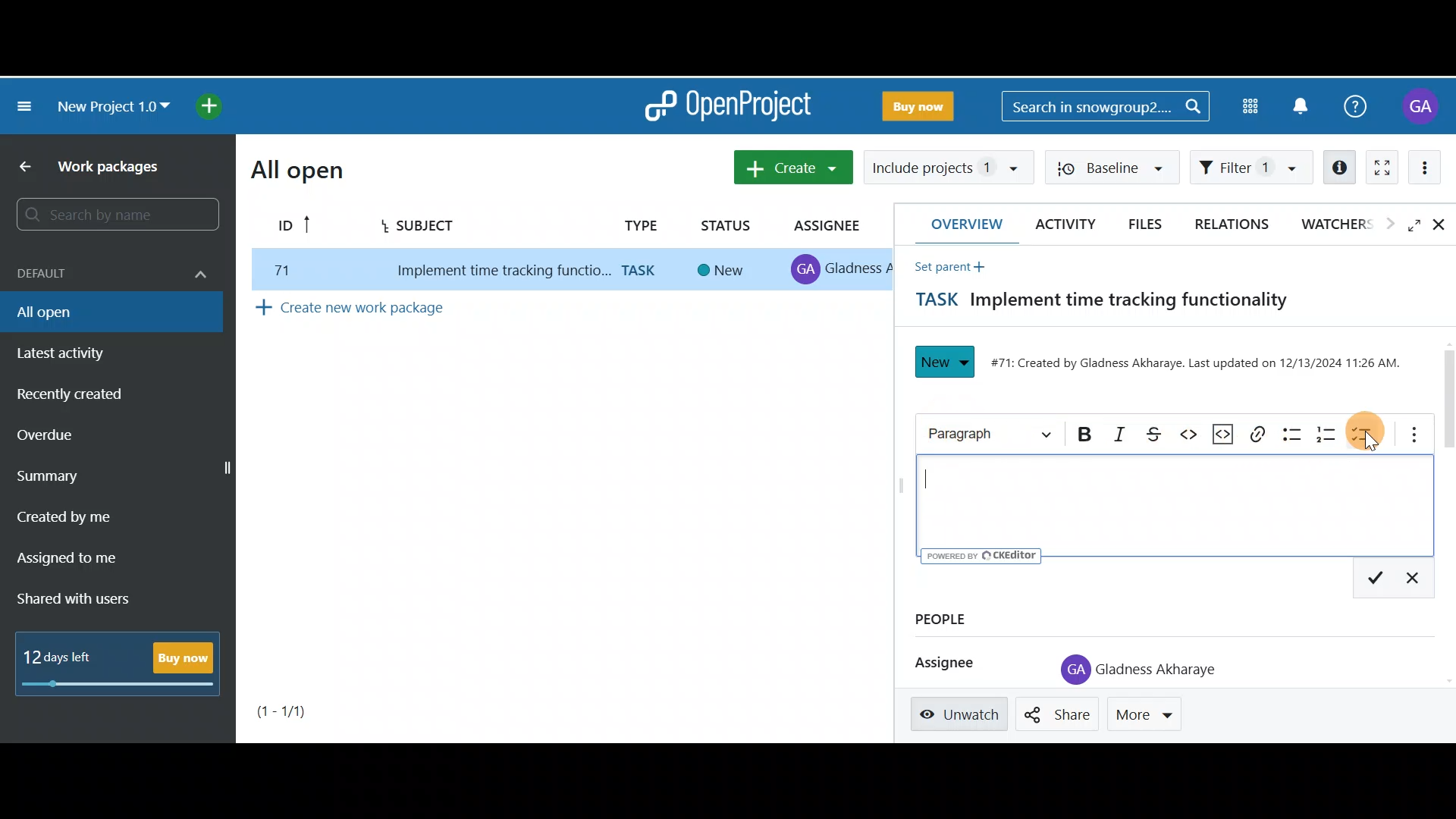  Describe the element at coordinates (120, 686) in the screenshot. I see `progress bar` at that location.